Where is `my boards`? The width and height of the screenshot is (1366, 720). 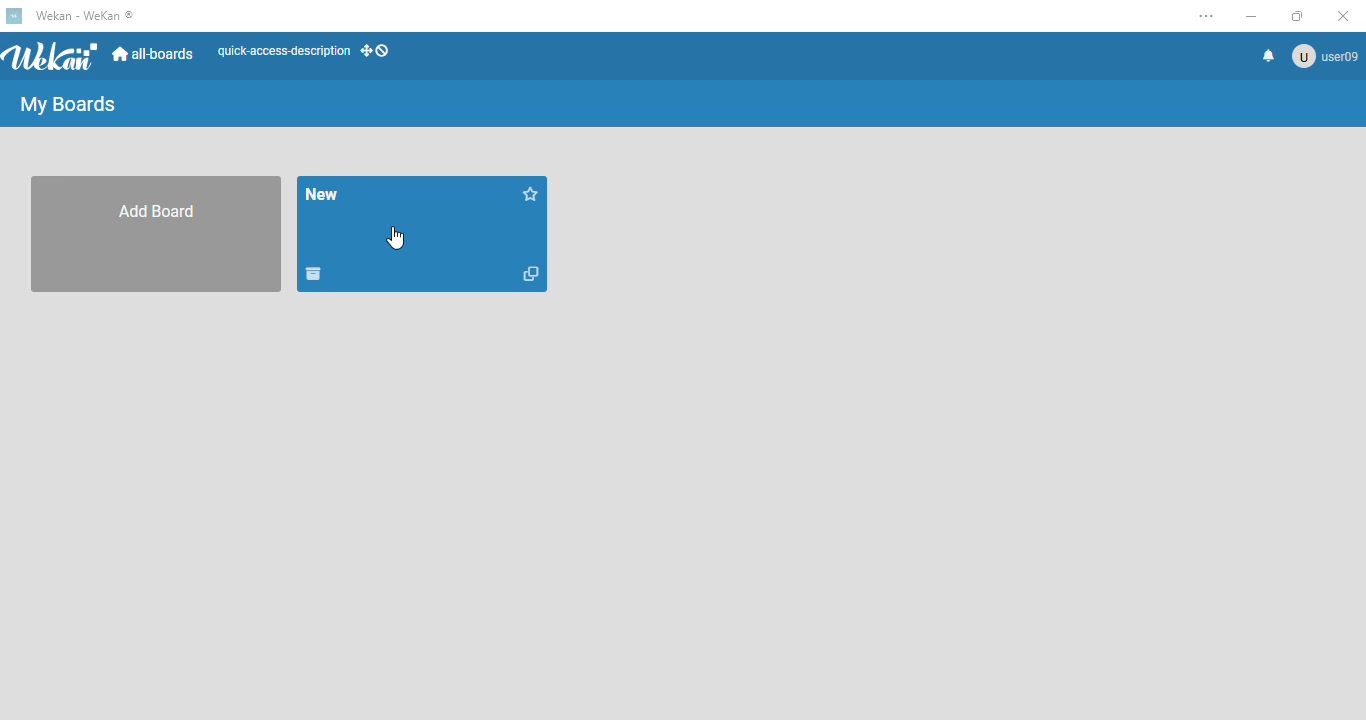
my boards is located at coordinates (68, 104).